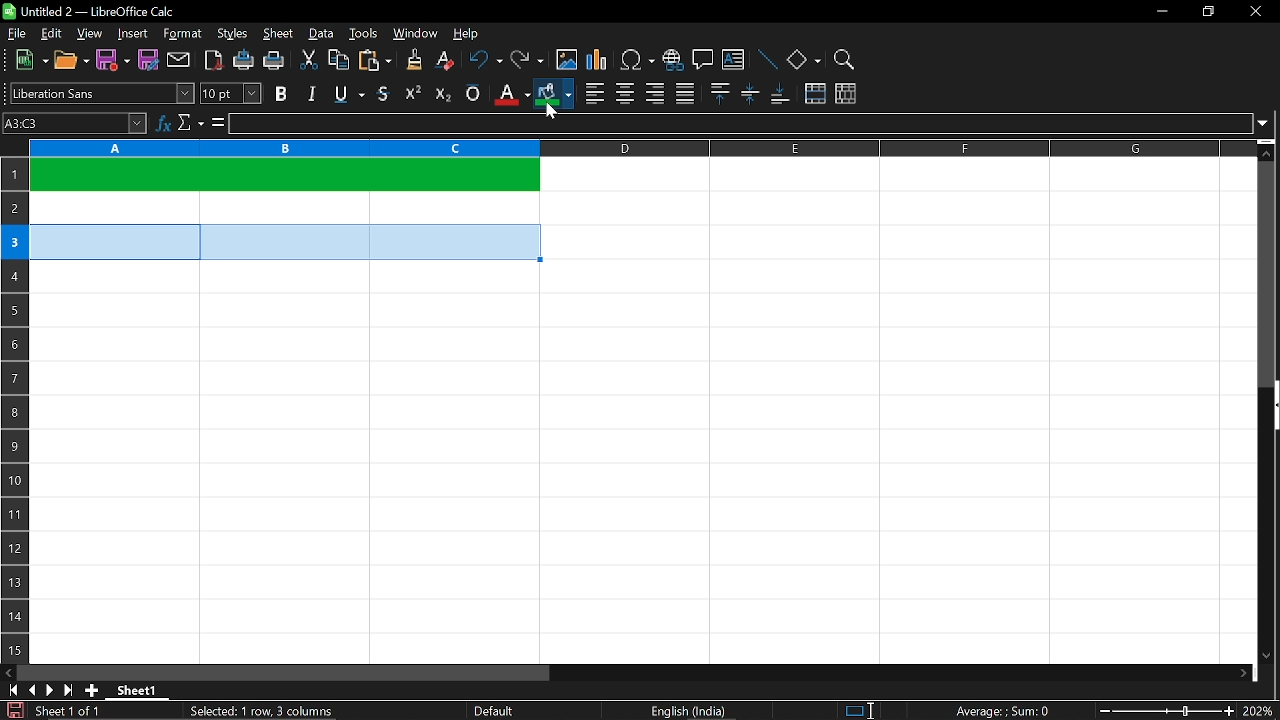 The image size is (1280, 720). I want to click on Untitled 2 - LibreOffice Calc, so click(90, 11).